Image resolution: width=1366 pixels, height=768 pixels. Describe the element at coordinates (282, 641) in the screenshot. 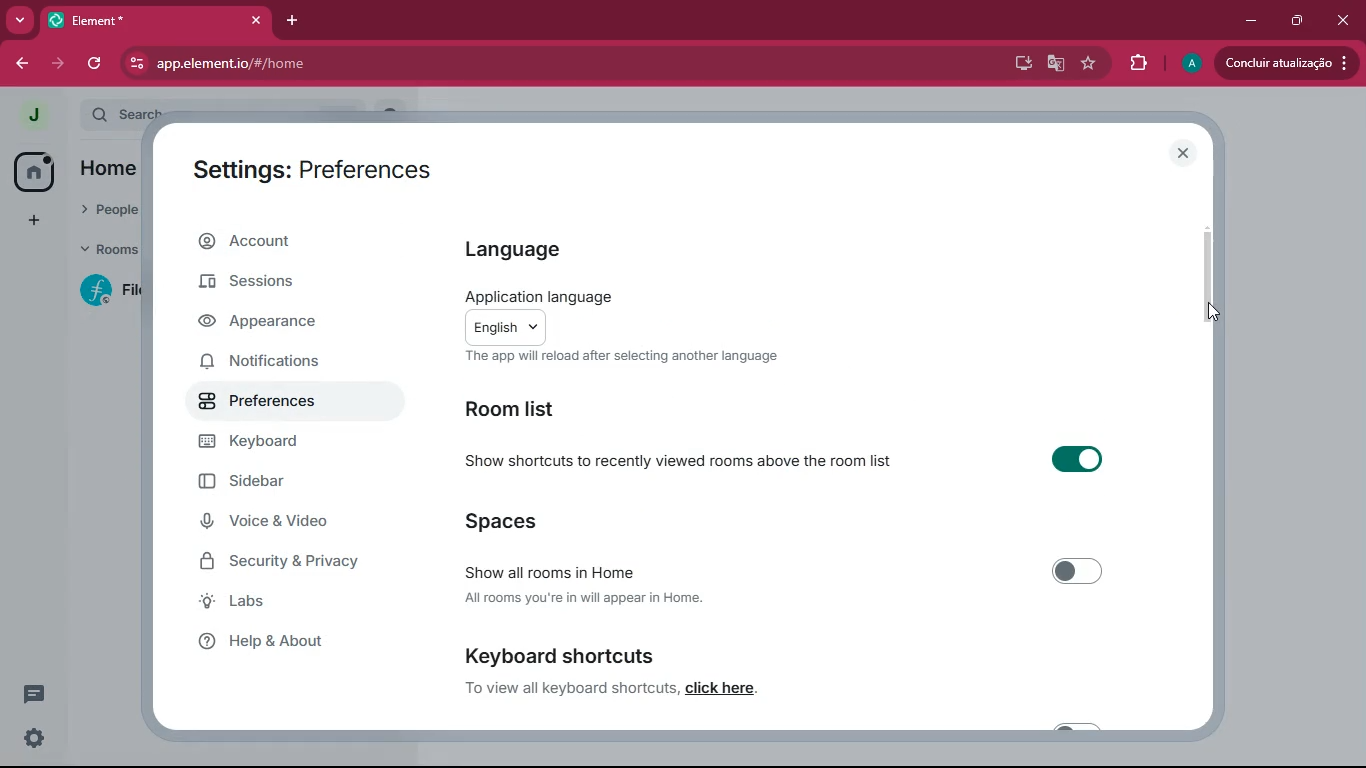

I see `help` at that location.